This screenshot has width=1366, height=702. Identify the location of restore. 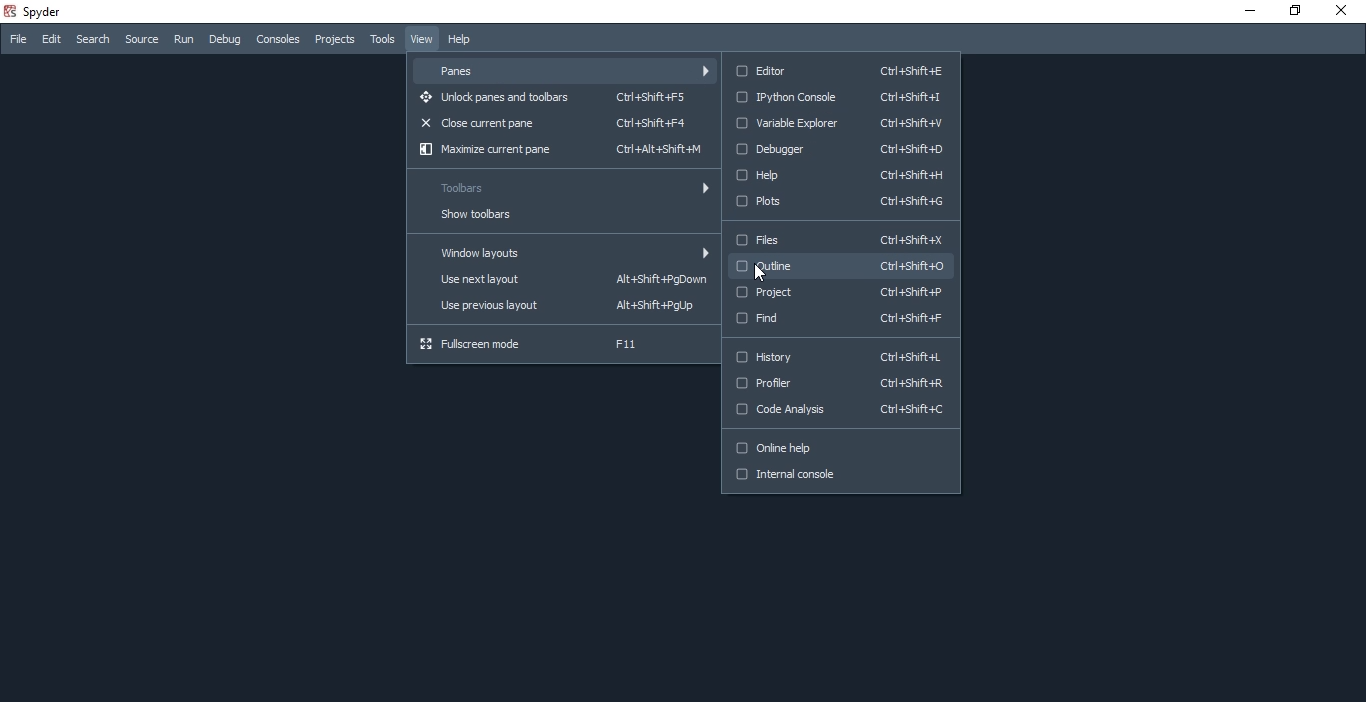
(1298, 12).